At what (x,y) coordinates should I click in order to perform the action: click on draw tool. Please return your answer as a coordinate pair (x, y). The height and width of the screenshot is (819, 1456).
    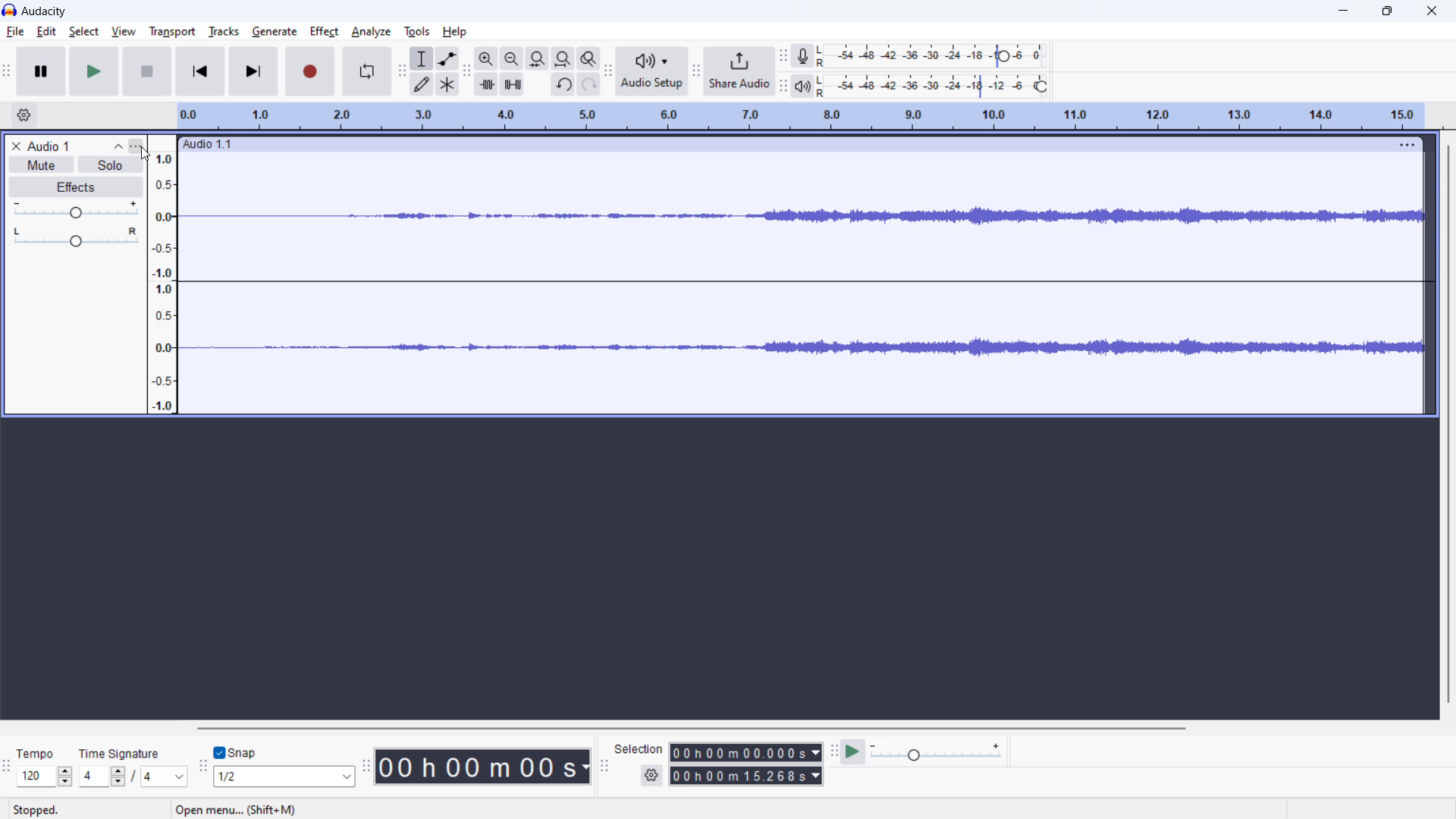
    Looking at the image, I should click on (422, 83).